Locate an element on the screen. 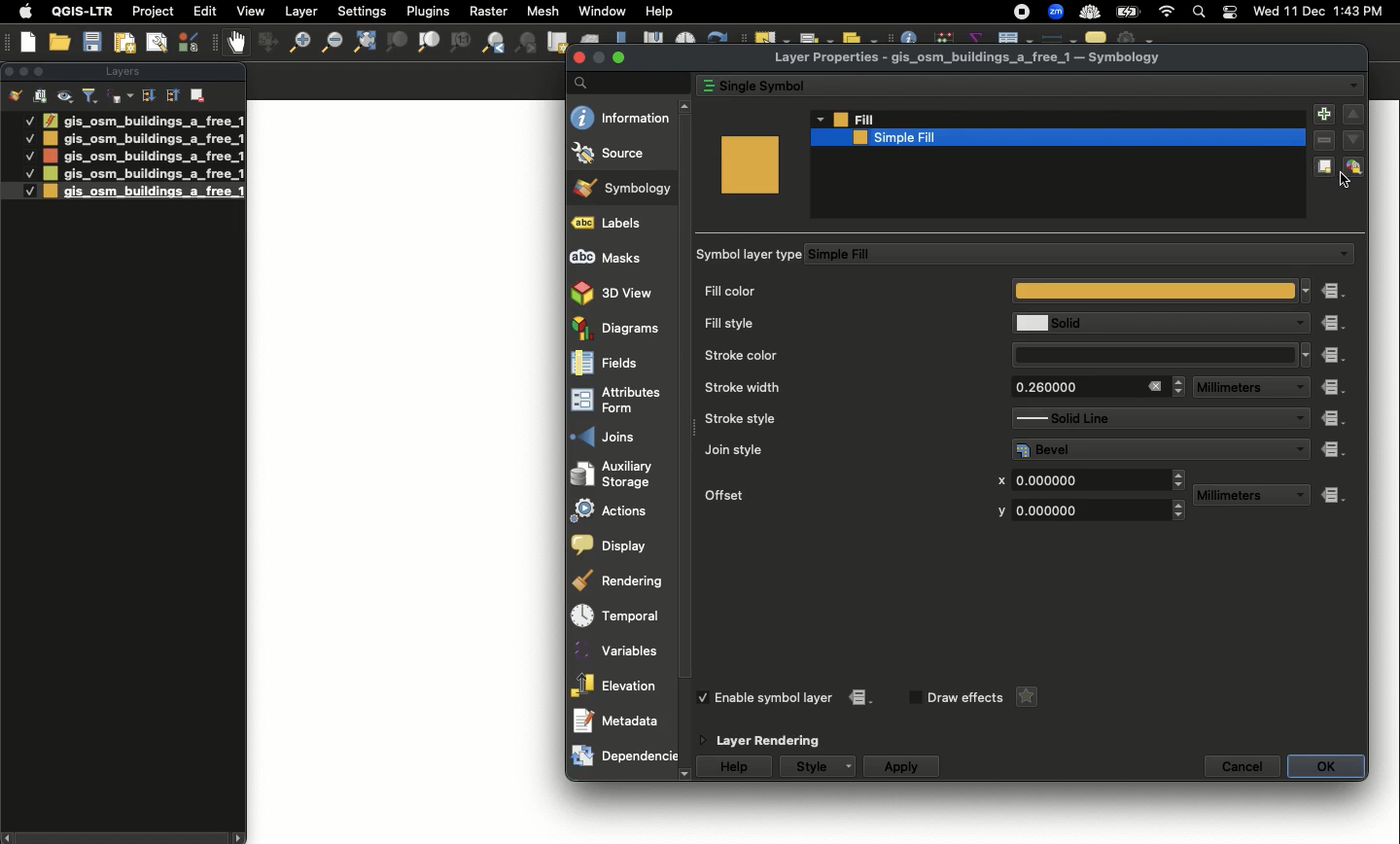  Edit is located at coordinates (205, 11).